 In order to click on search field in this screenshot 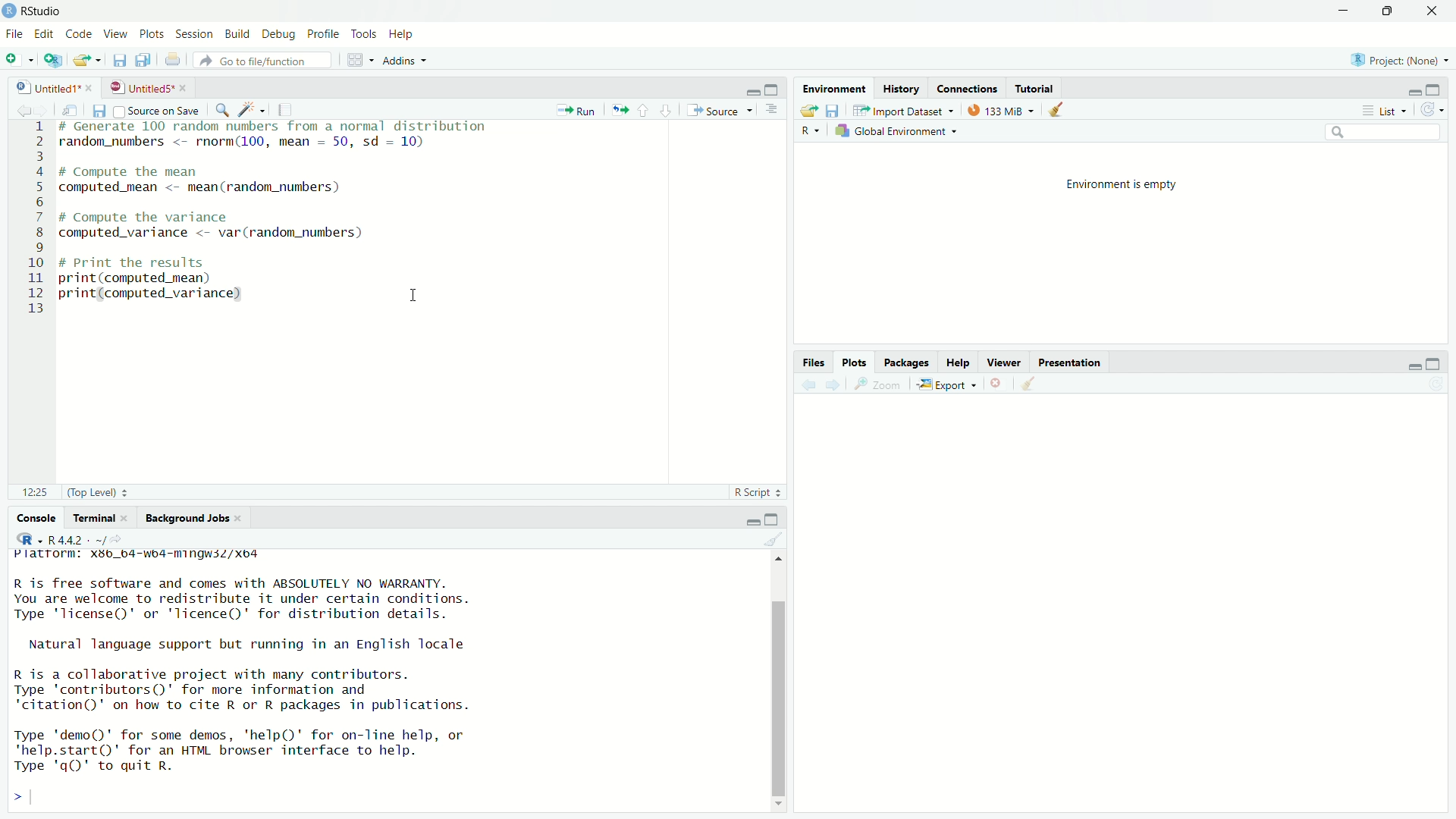, I will do `click(1383, 133)`.